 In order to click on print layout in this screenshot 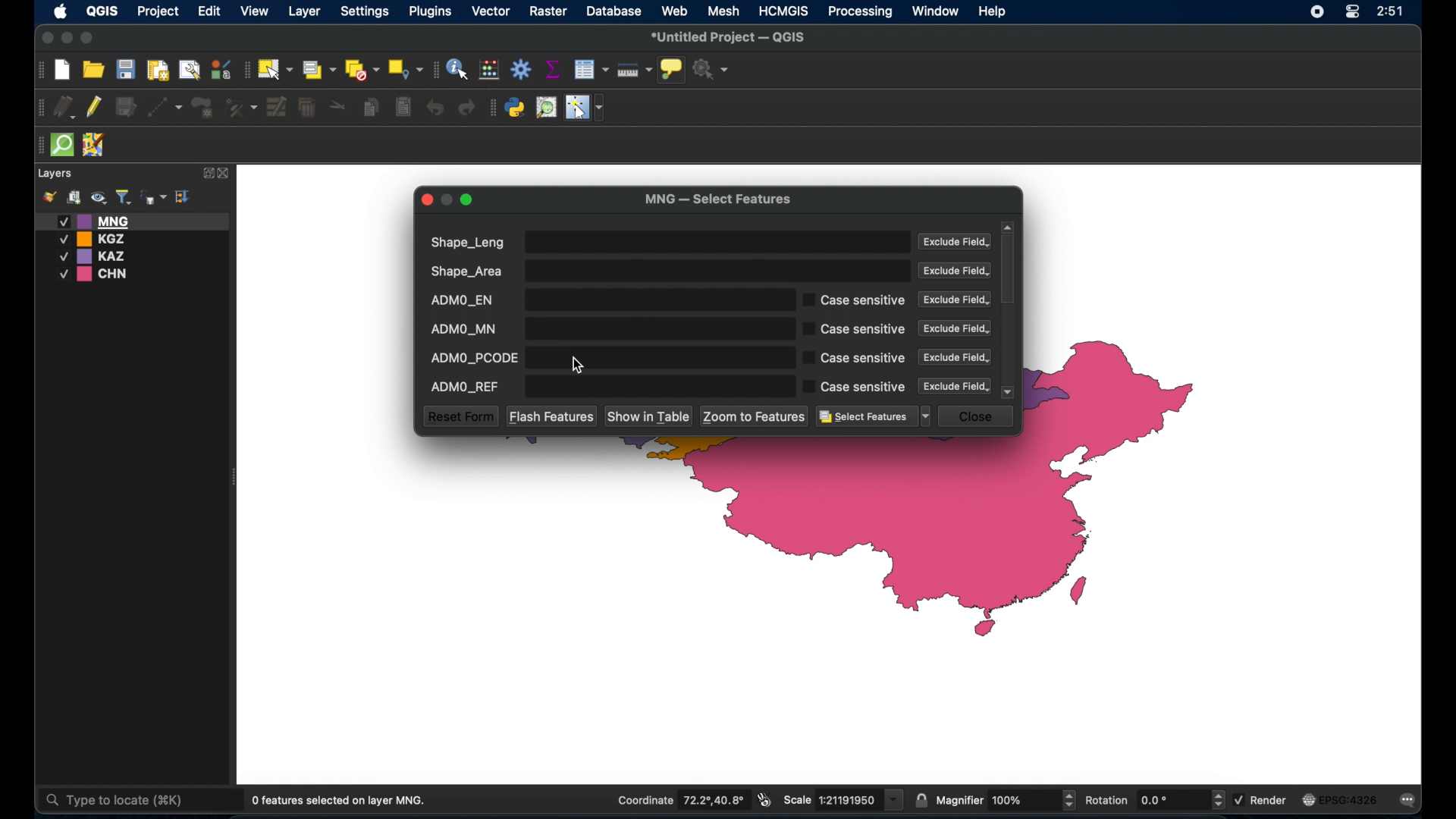, I will do `click(157, 69)`.